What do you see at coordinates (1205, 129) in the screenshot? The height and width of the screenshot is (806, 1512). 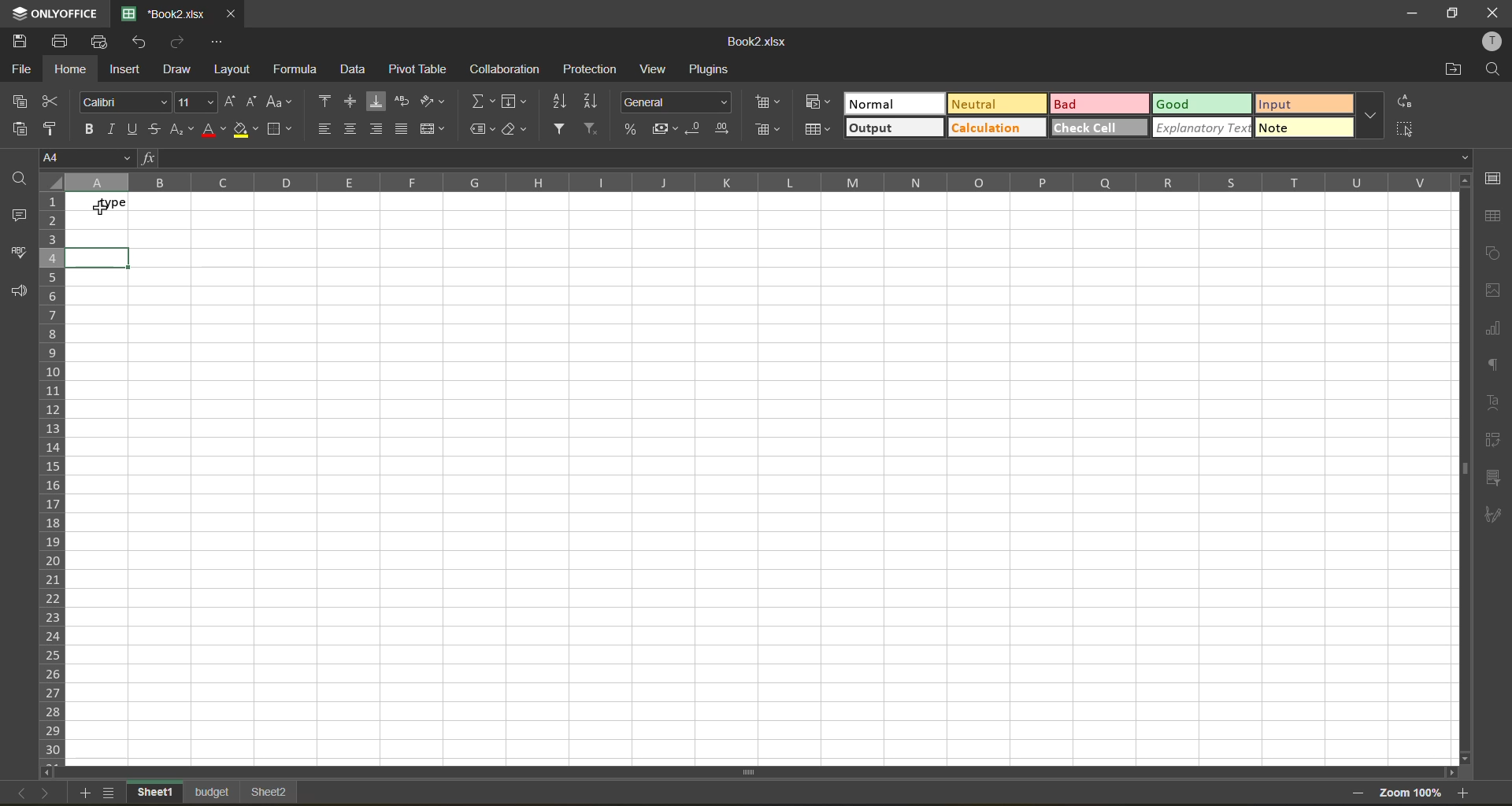 I see `explanatory text` at bounding box center [1205, 129].